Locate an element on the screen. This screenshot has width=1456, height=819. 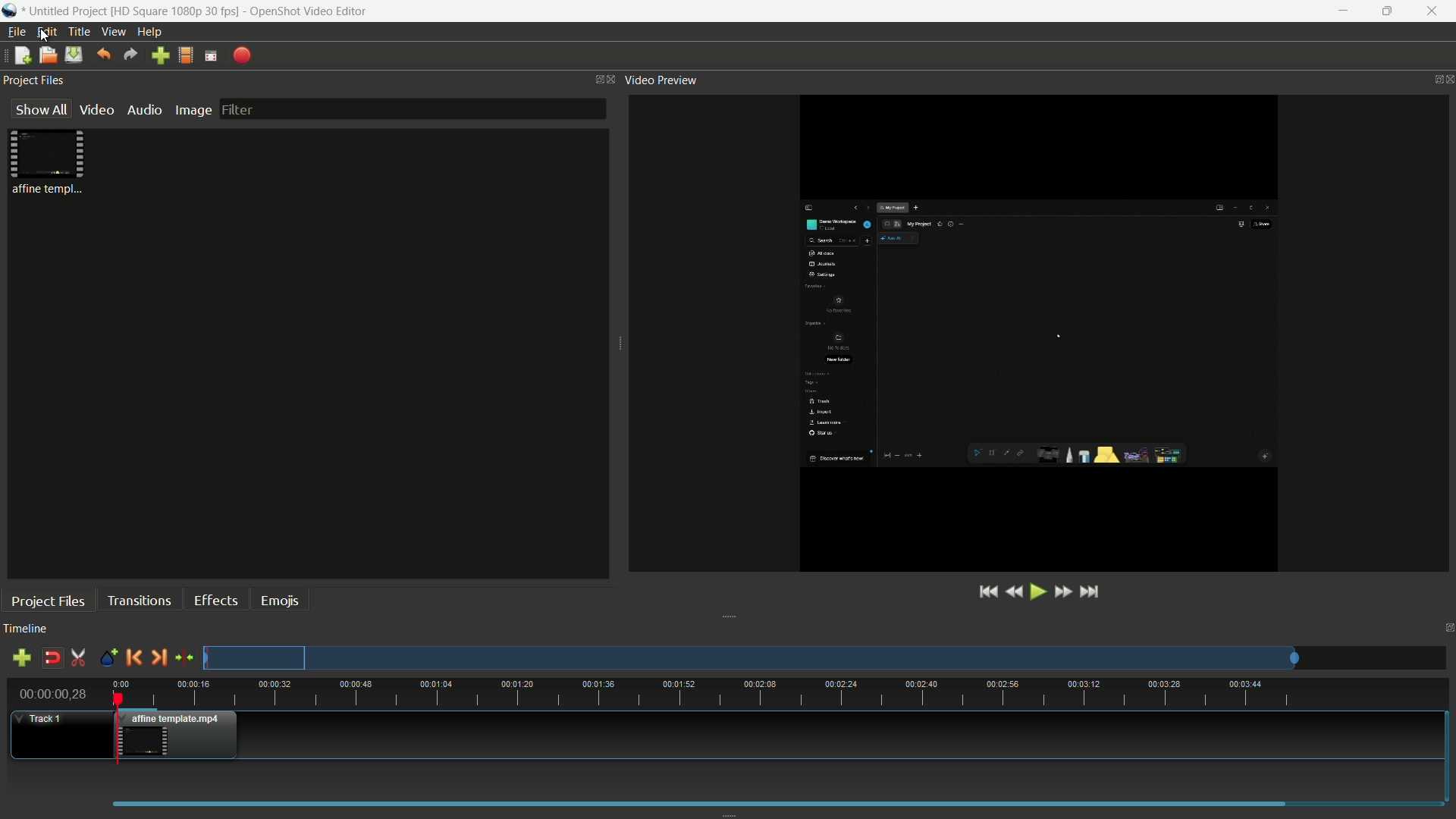
show all is located at coordinates (38, 110).